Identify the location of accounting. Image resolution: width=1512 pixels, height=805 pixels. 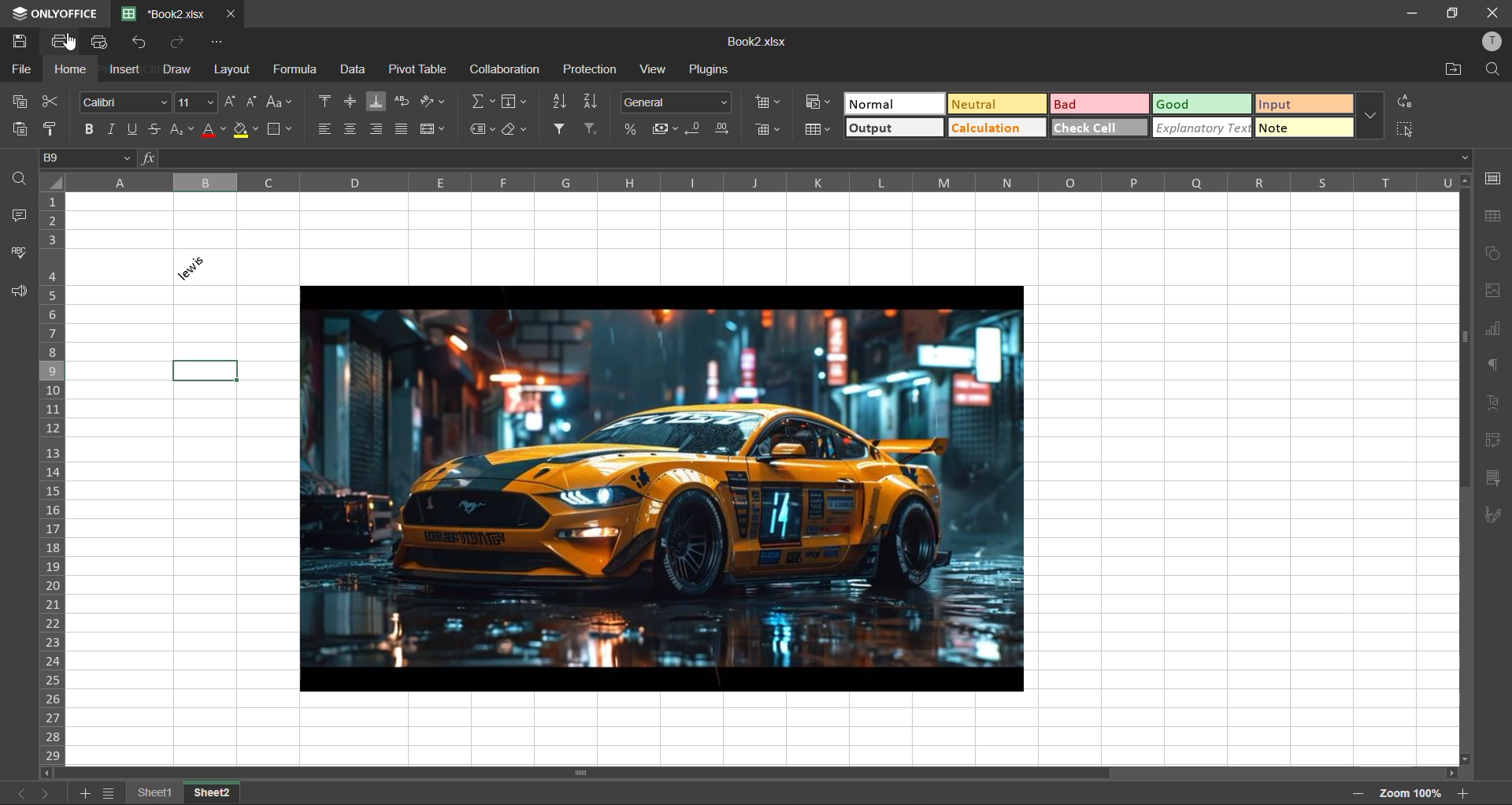
(666, 129).